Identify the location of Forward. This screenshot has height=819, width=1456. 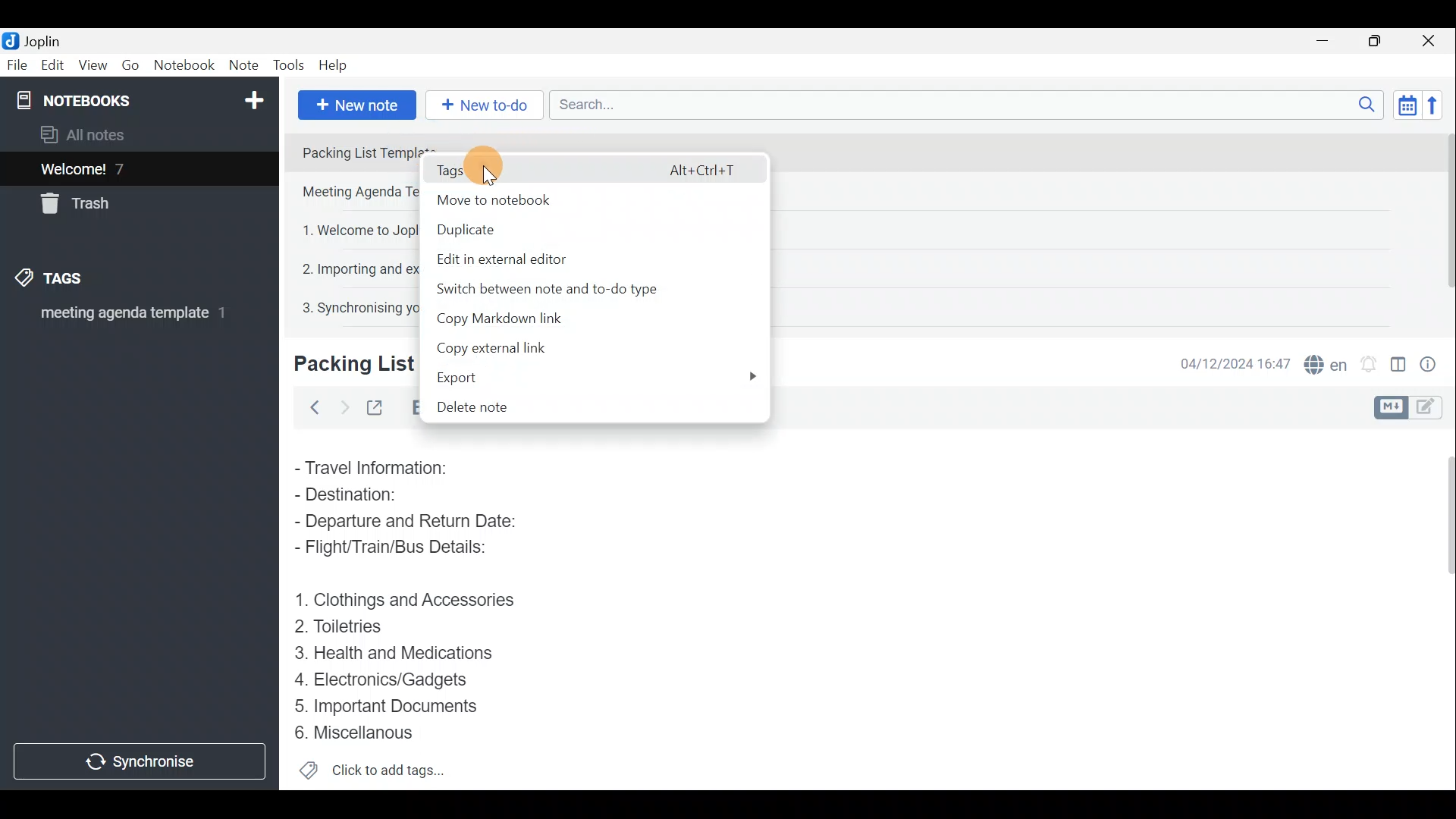
(341, 406).